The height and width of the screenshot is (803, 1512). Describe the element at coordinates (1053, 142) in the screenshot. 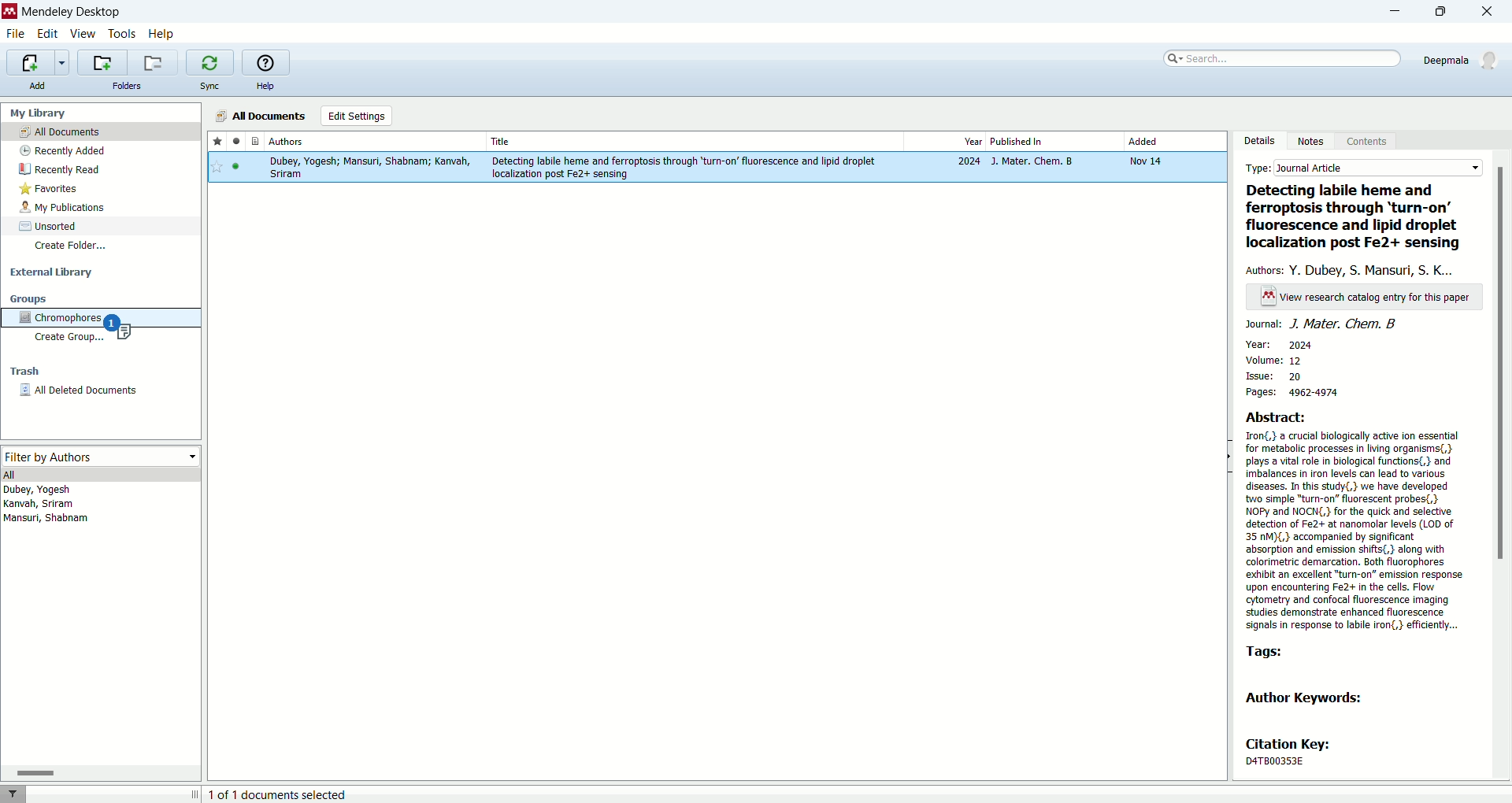

I see `published in` at that location.